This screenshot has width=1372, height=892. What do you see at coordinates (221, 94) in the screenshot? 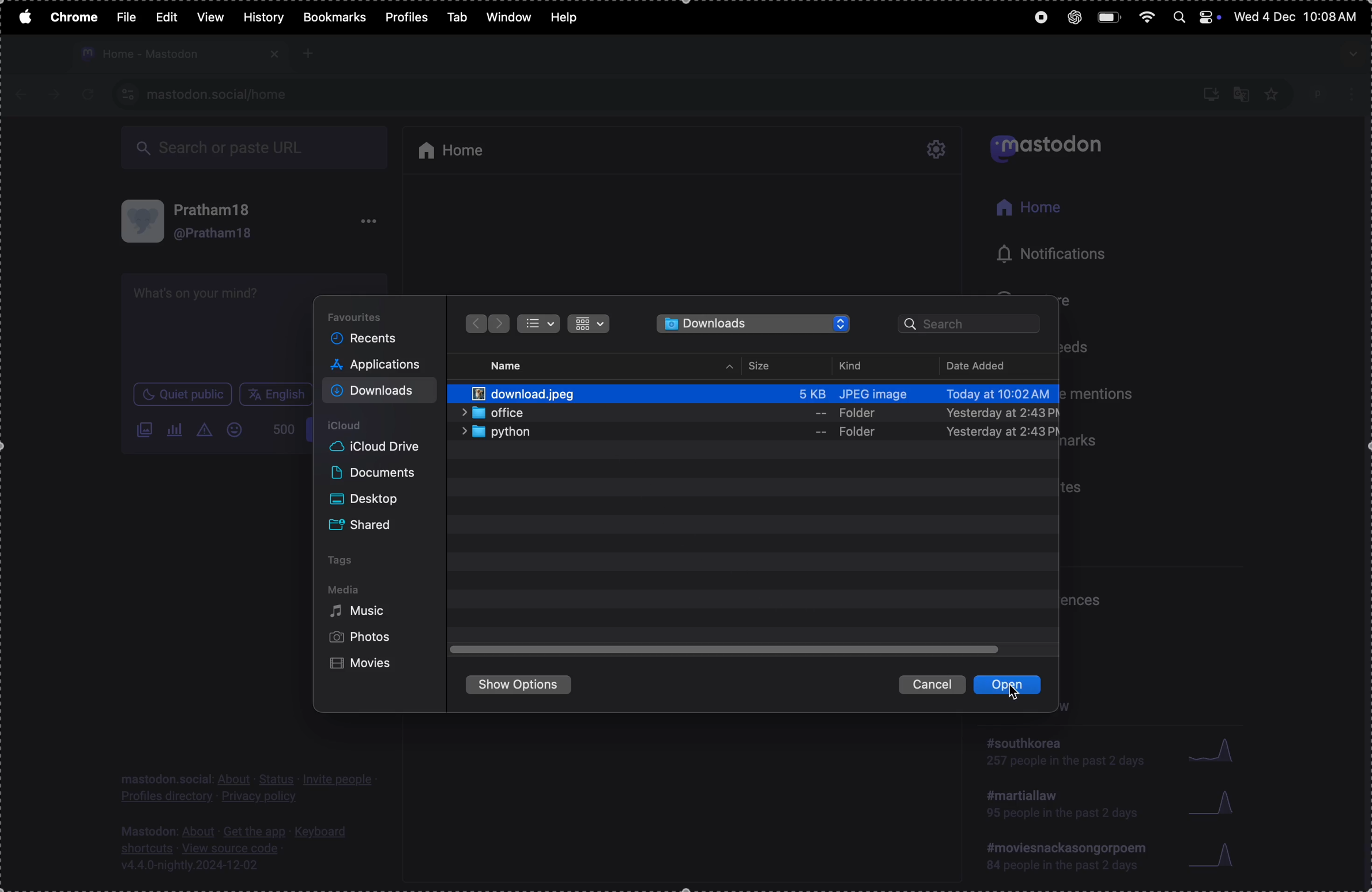
I see `Mastdon url` at bounding box center [221, 94].